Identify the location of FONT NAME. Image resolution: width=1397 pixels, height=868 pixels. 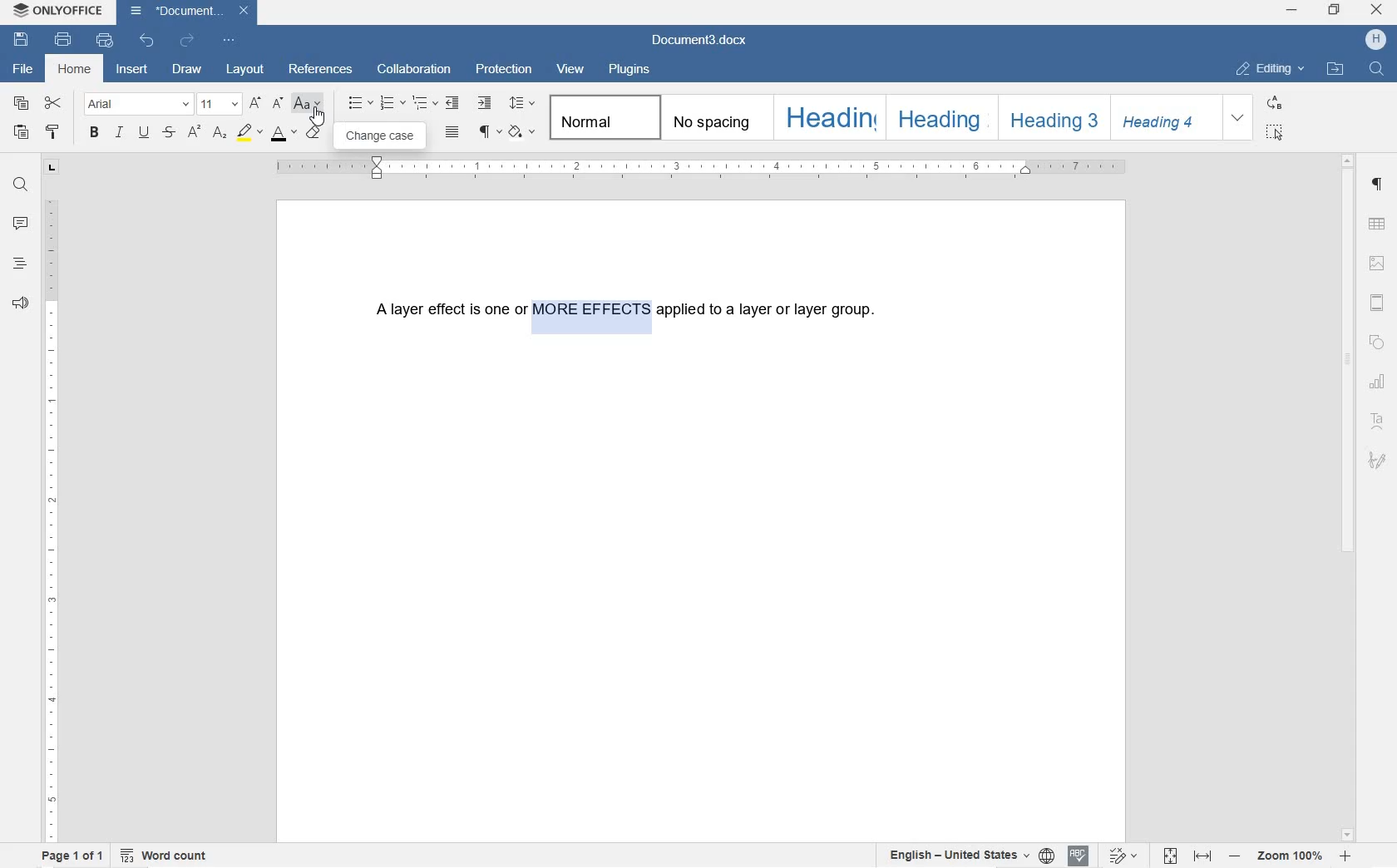
(137, 103).